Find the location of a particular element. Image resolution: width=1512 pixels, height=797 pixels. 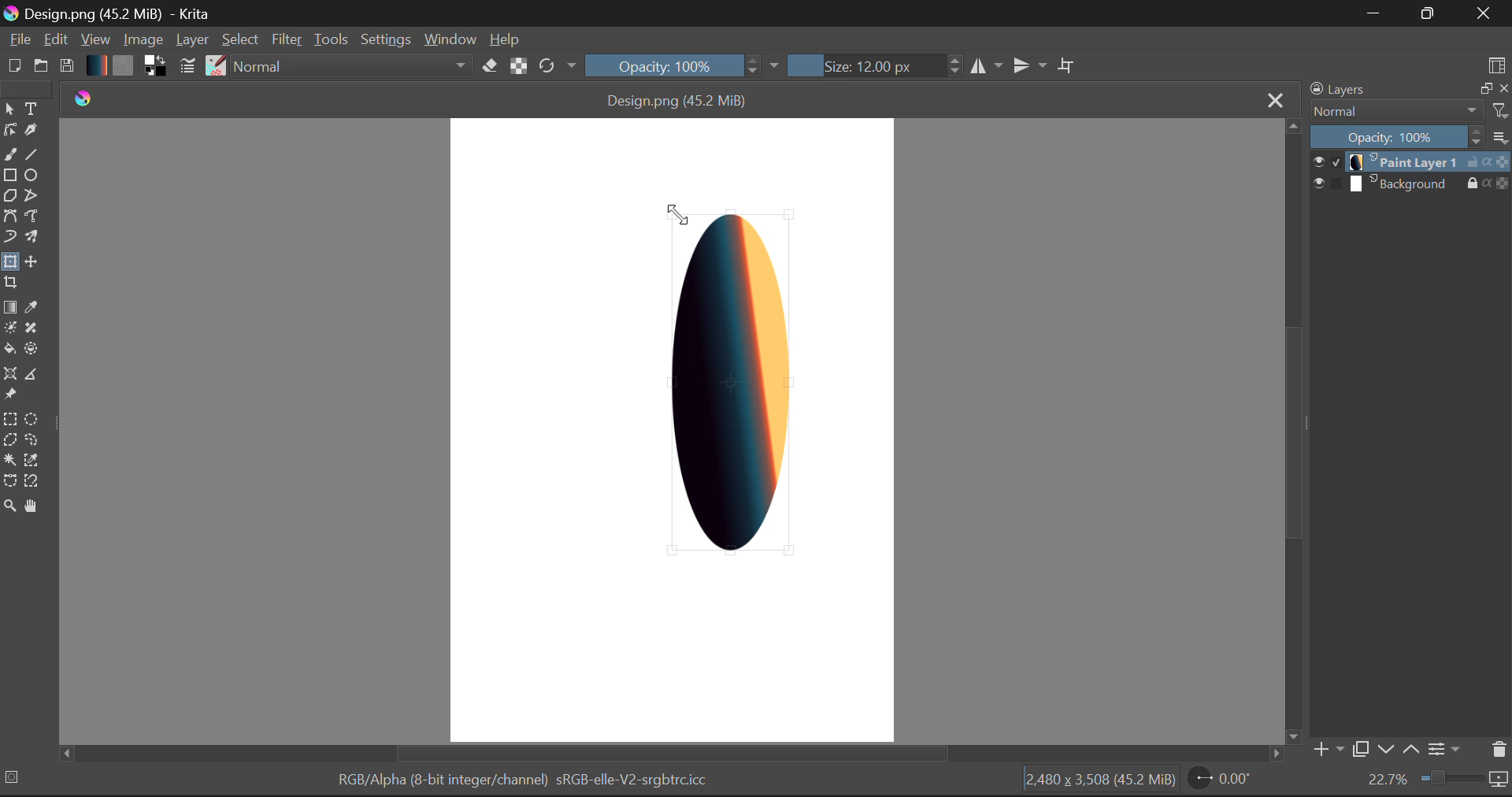

Multibrush Tool is located at coordinates (30, 237).